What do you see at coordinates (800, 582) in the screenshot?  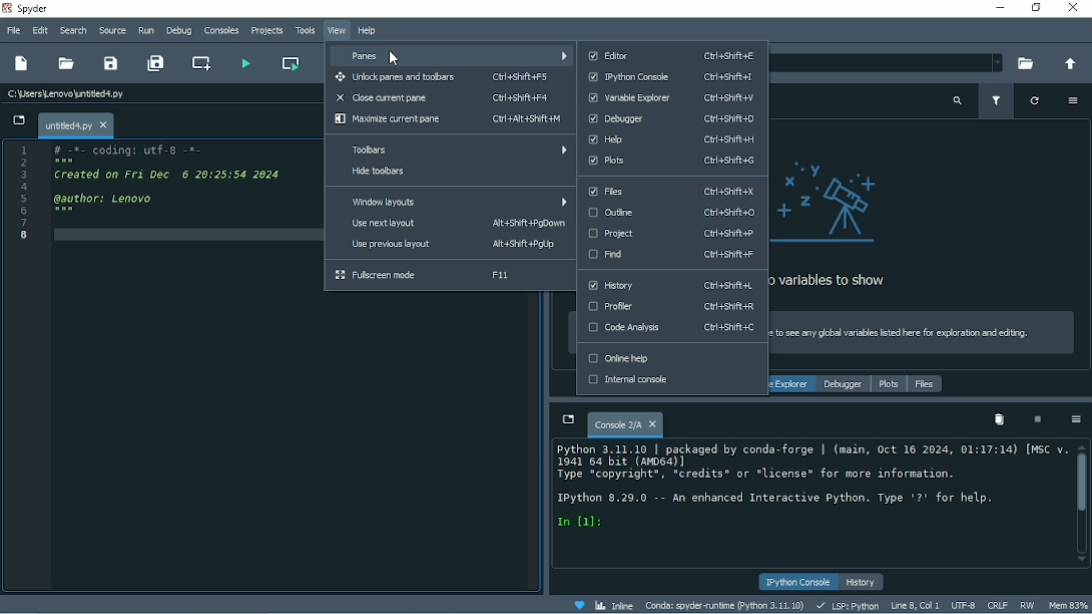 I see `IPython console` at bounding box center [800, 582].